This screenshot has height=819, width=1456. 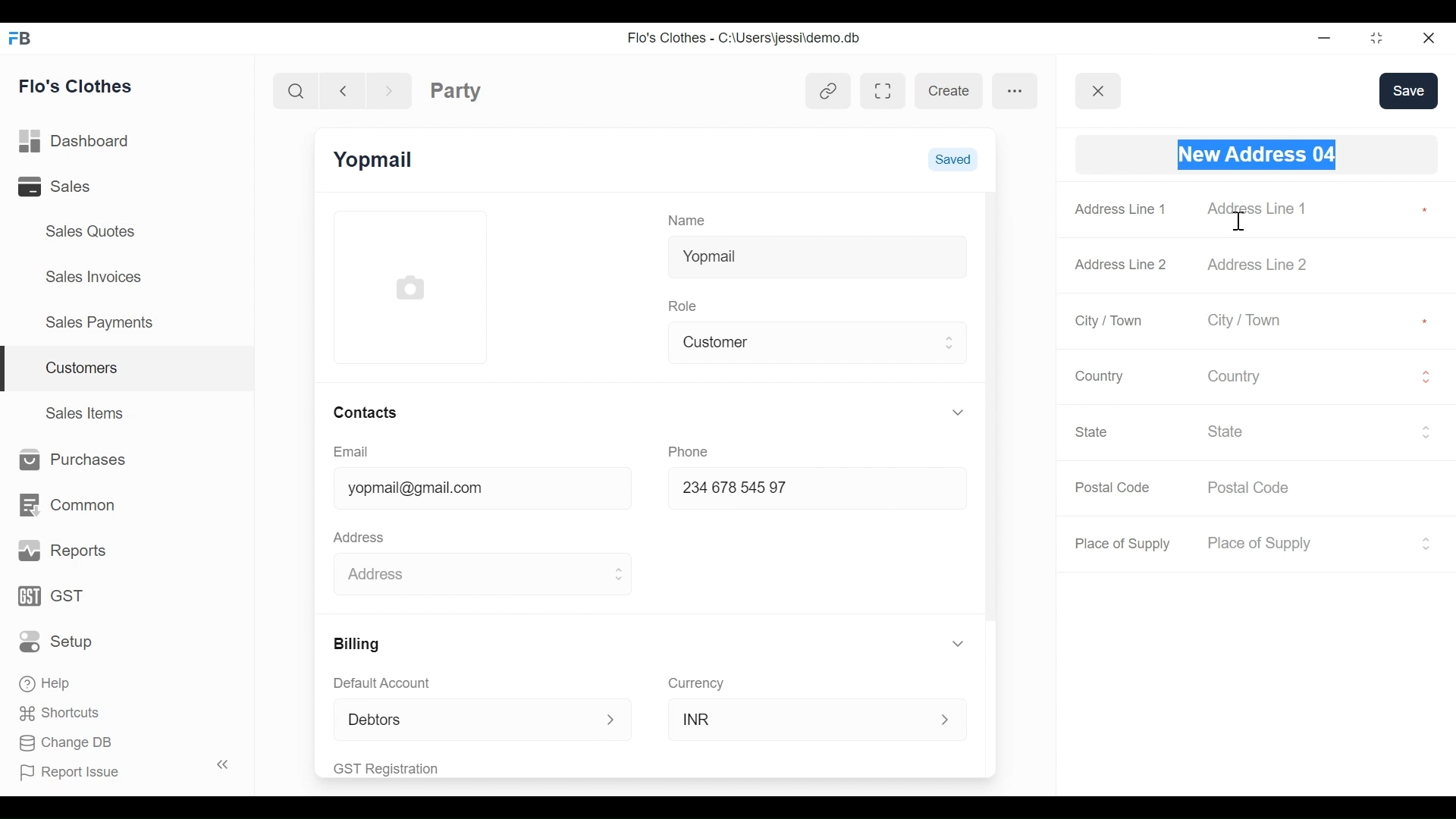 What do you see at coordinates (1426, 377) in the screenshot?
I see `Expand` at bounding box center [1426, 377].